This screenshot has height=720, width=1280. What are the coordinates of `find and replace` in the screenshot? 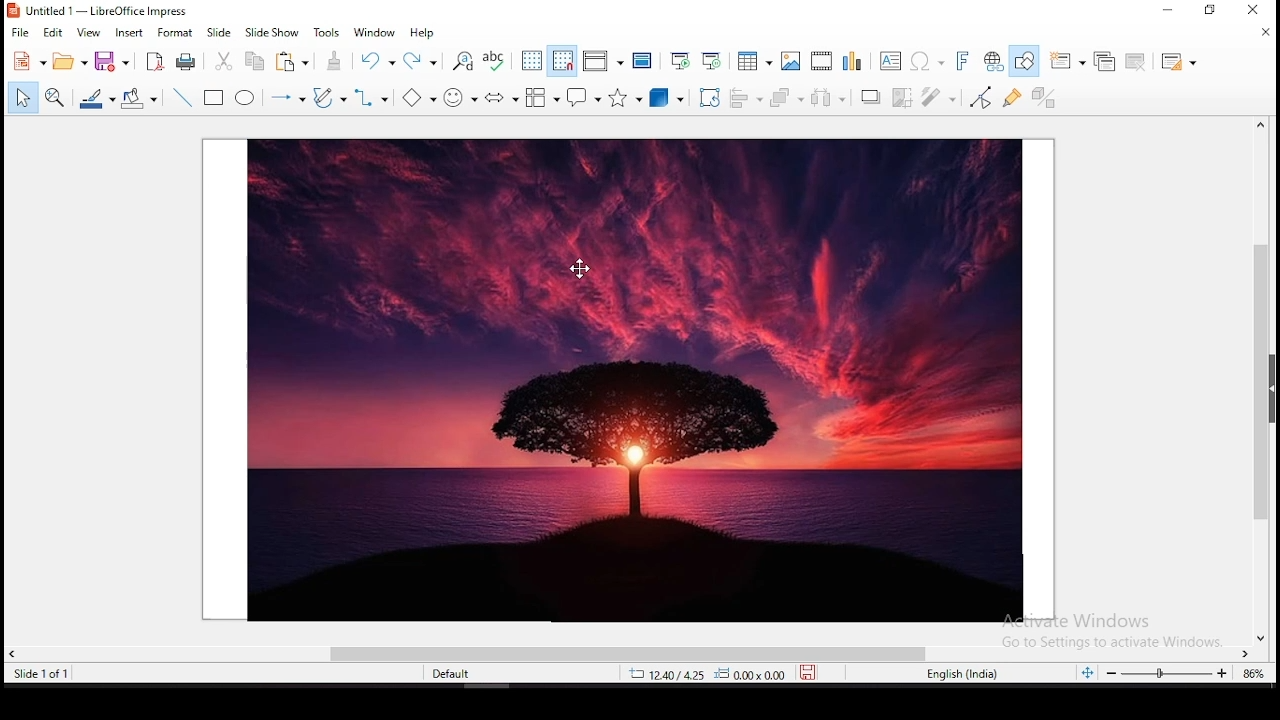 It's located at (464, 62).